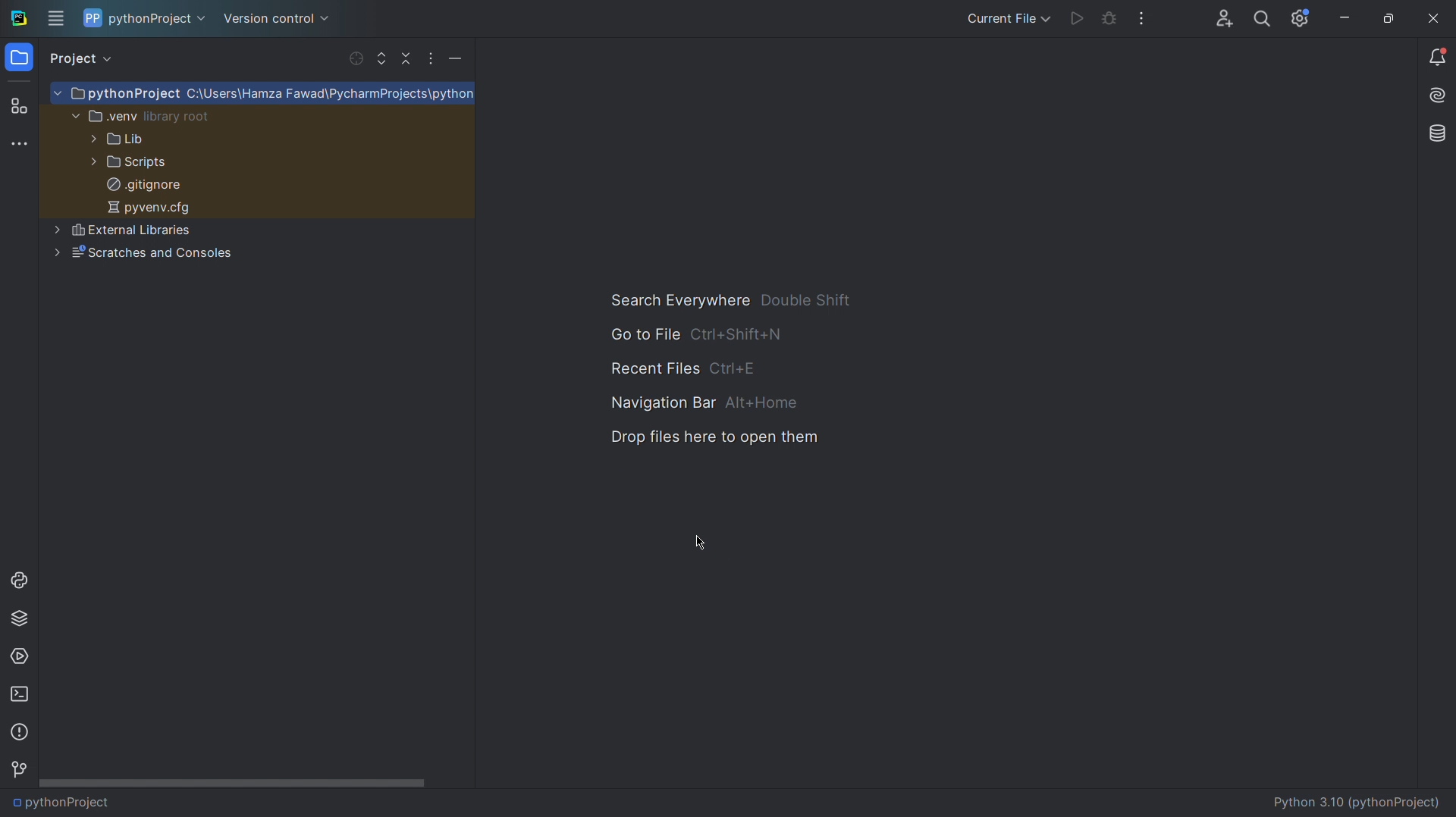  Describe the element at coordinates (1109, 21) in the screenshot. I see `check bugs` at that location.